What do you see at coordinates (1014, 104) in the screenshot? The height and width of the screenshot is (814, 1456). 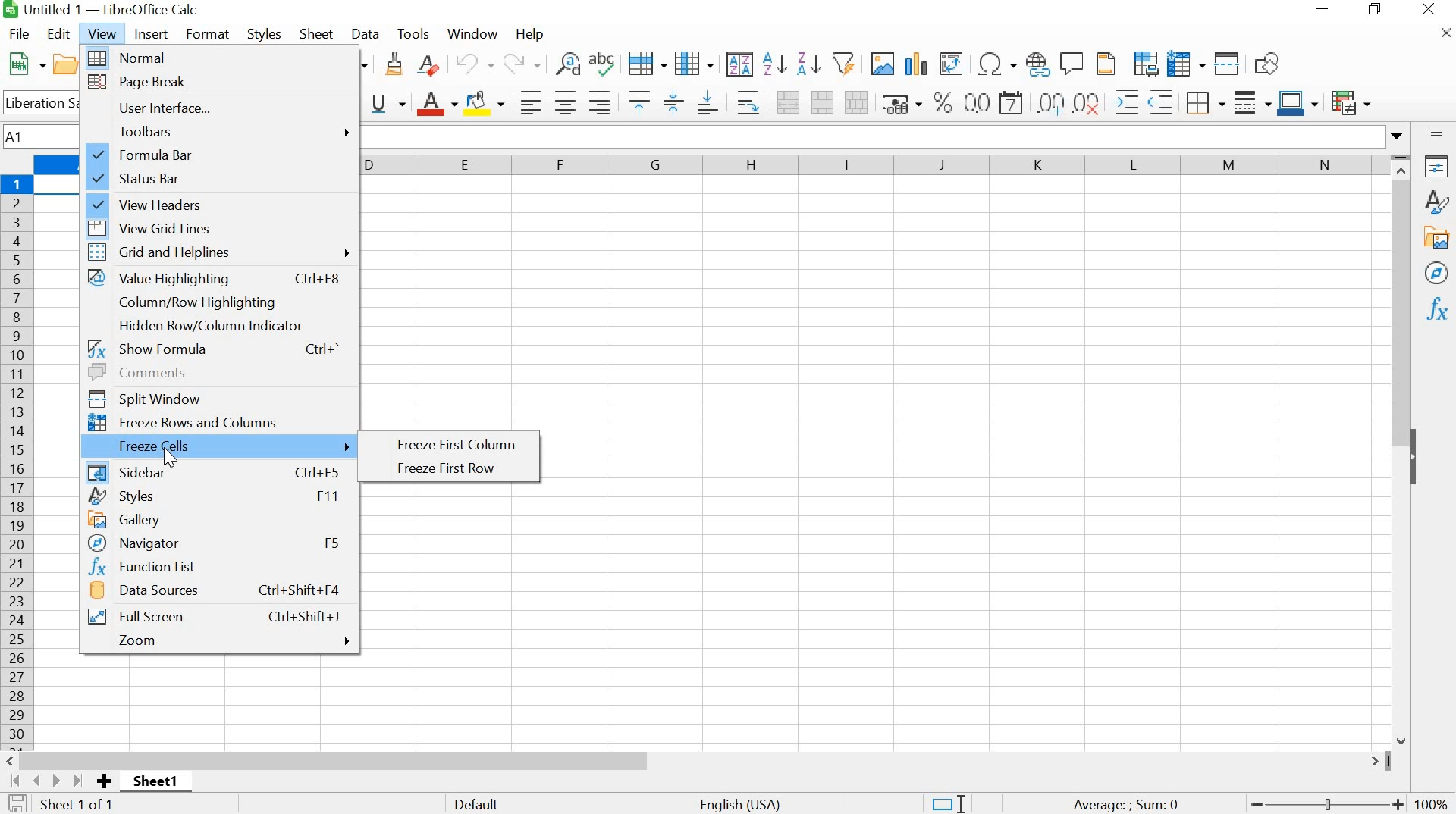 I see `FORMAT AS DATE` at bounding box center [1014, 104].